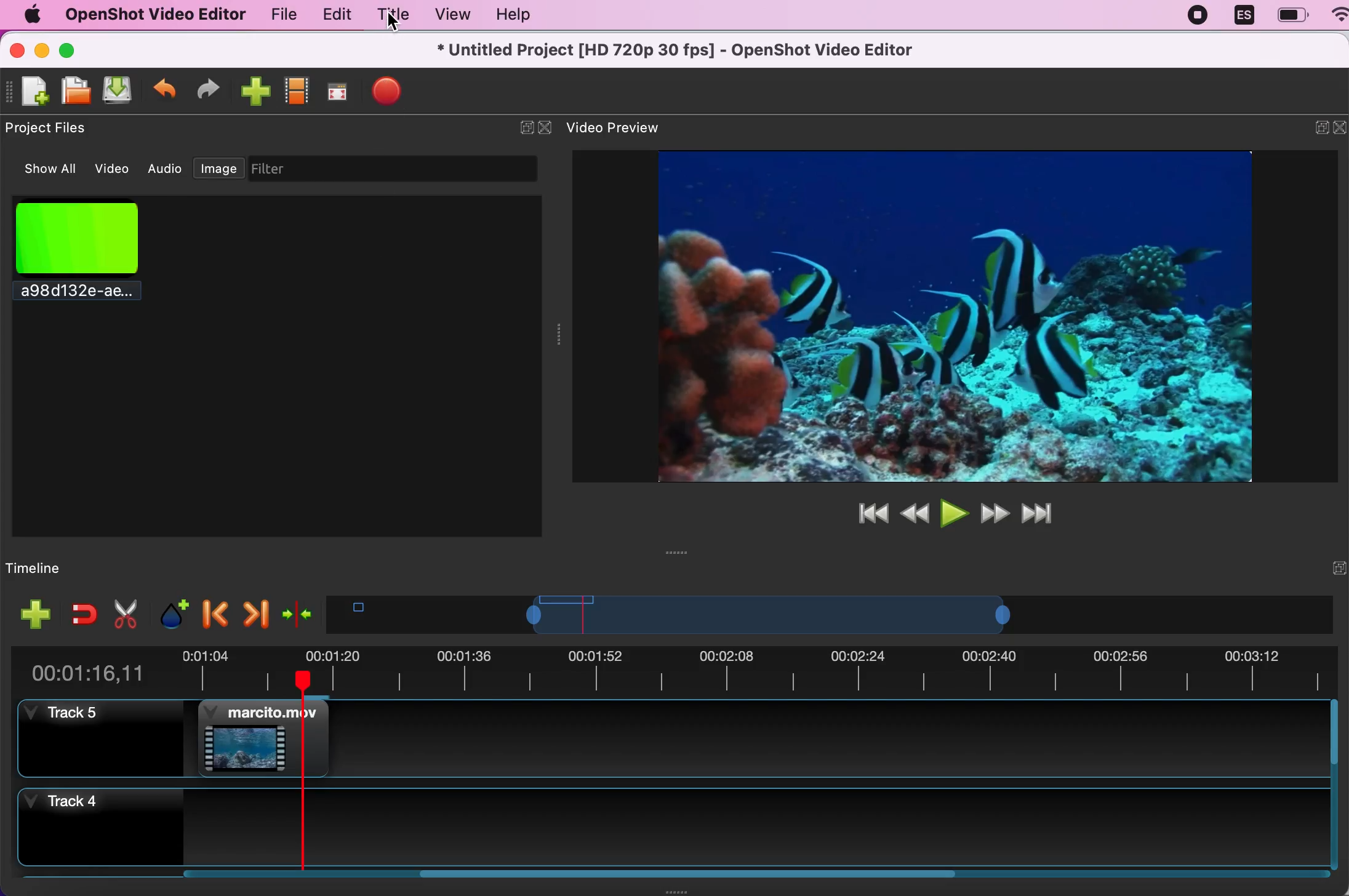  Describe the element at coordinates (334, 15) in the screenshot. I see `edit` at that location.